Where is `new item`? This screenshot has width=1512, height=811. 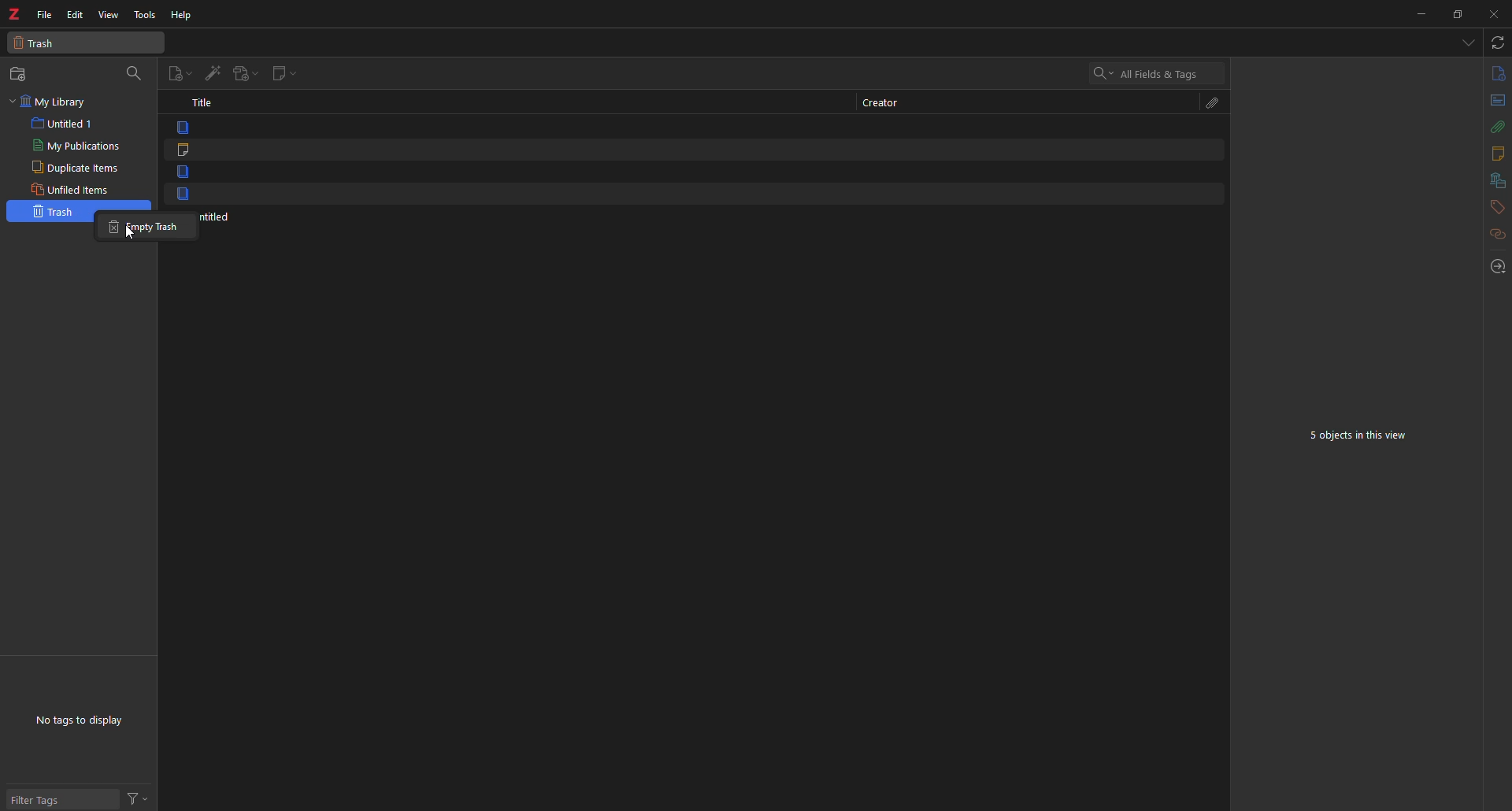
new item is located at coordinates (180, 72).